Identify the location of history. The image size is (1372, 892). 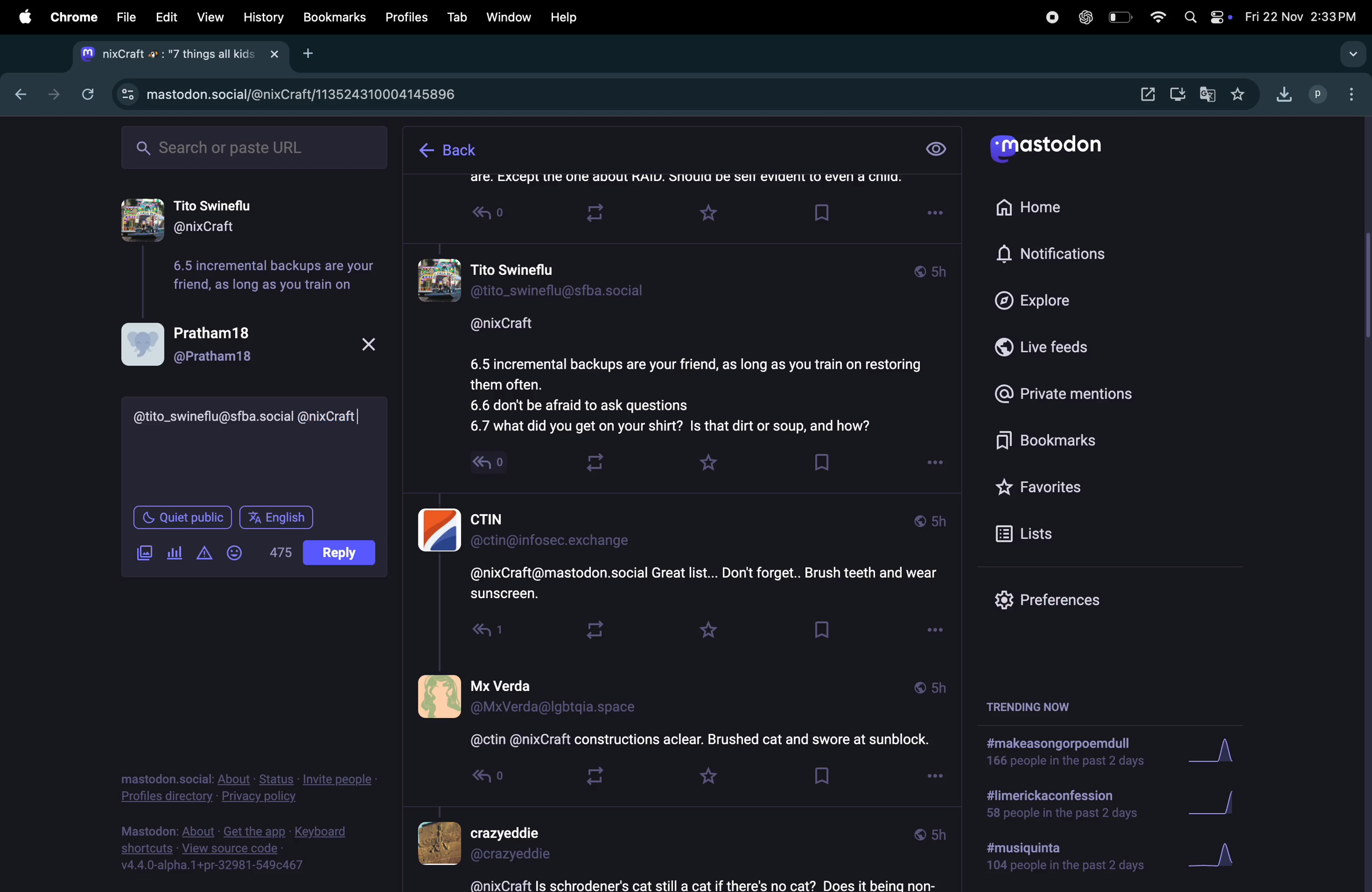
(265, 17).